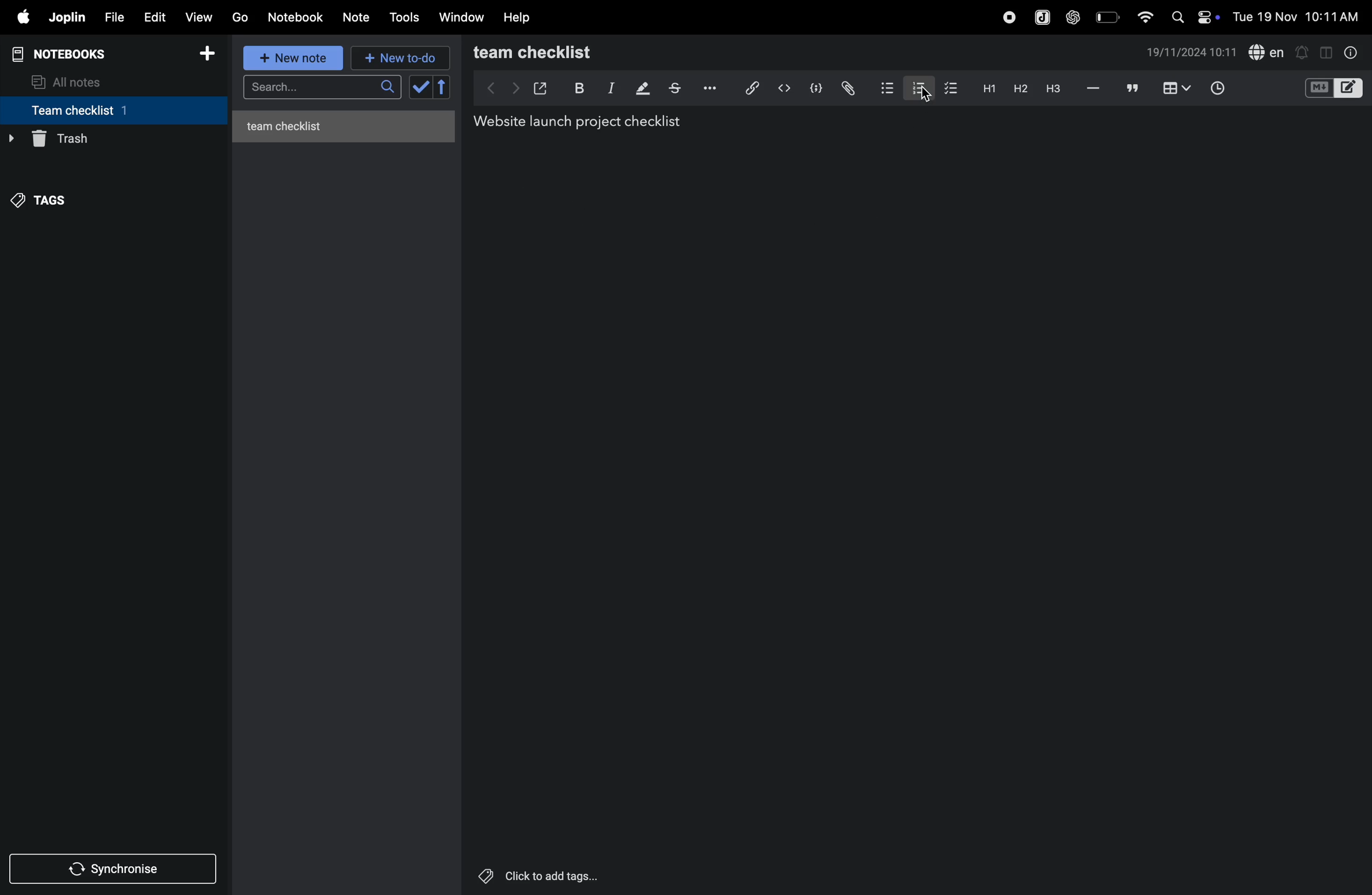 The image size is (1372, 895). I want to click on numbered list, so click(916, 87).